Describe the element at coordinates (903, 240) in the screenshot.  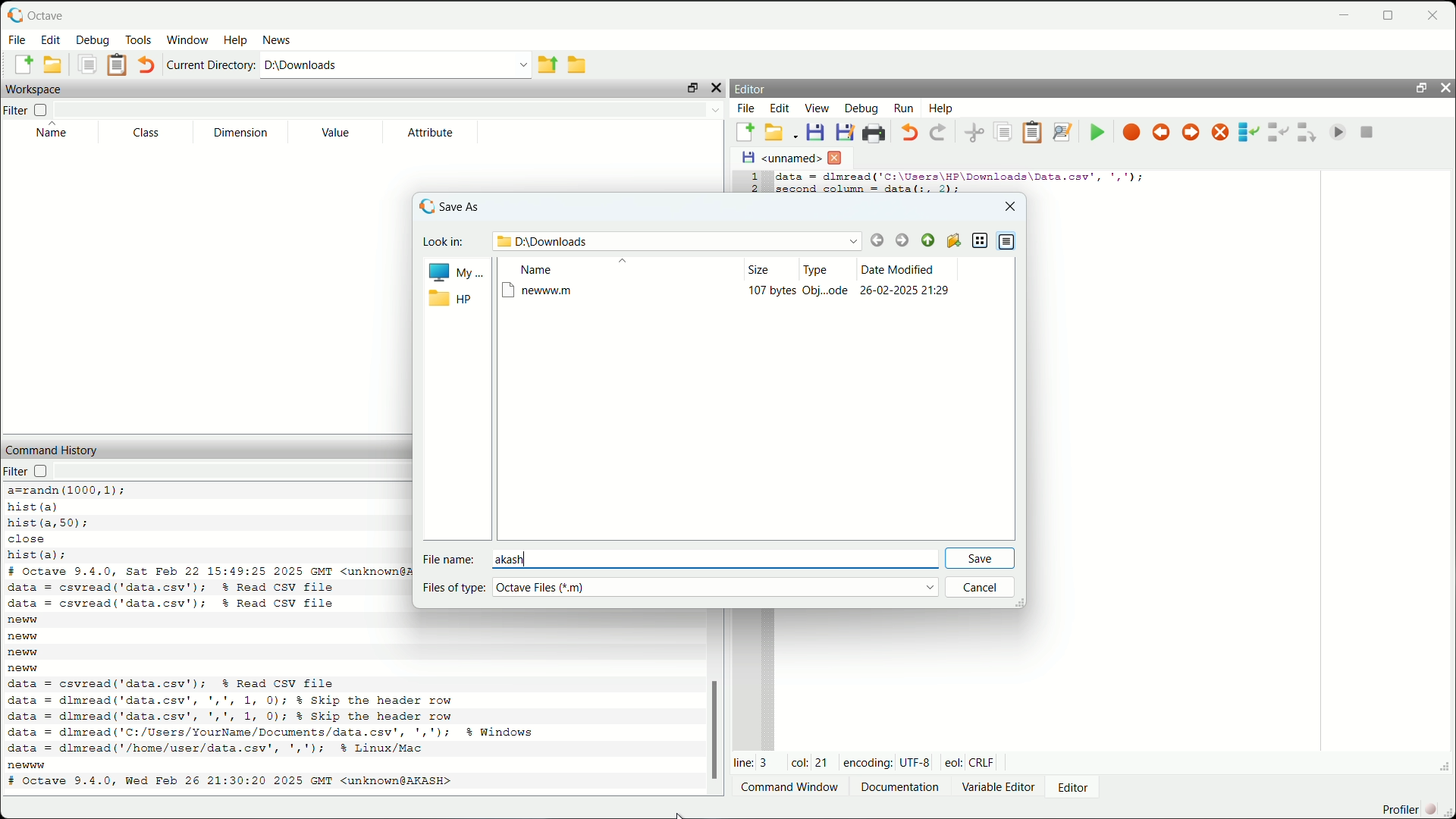
I see `forward` at that location.